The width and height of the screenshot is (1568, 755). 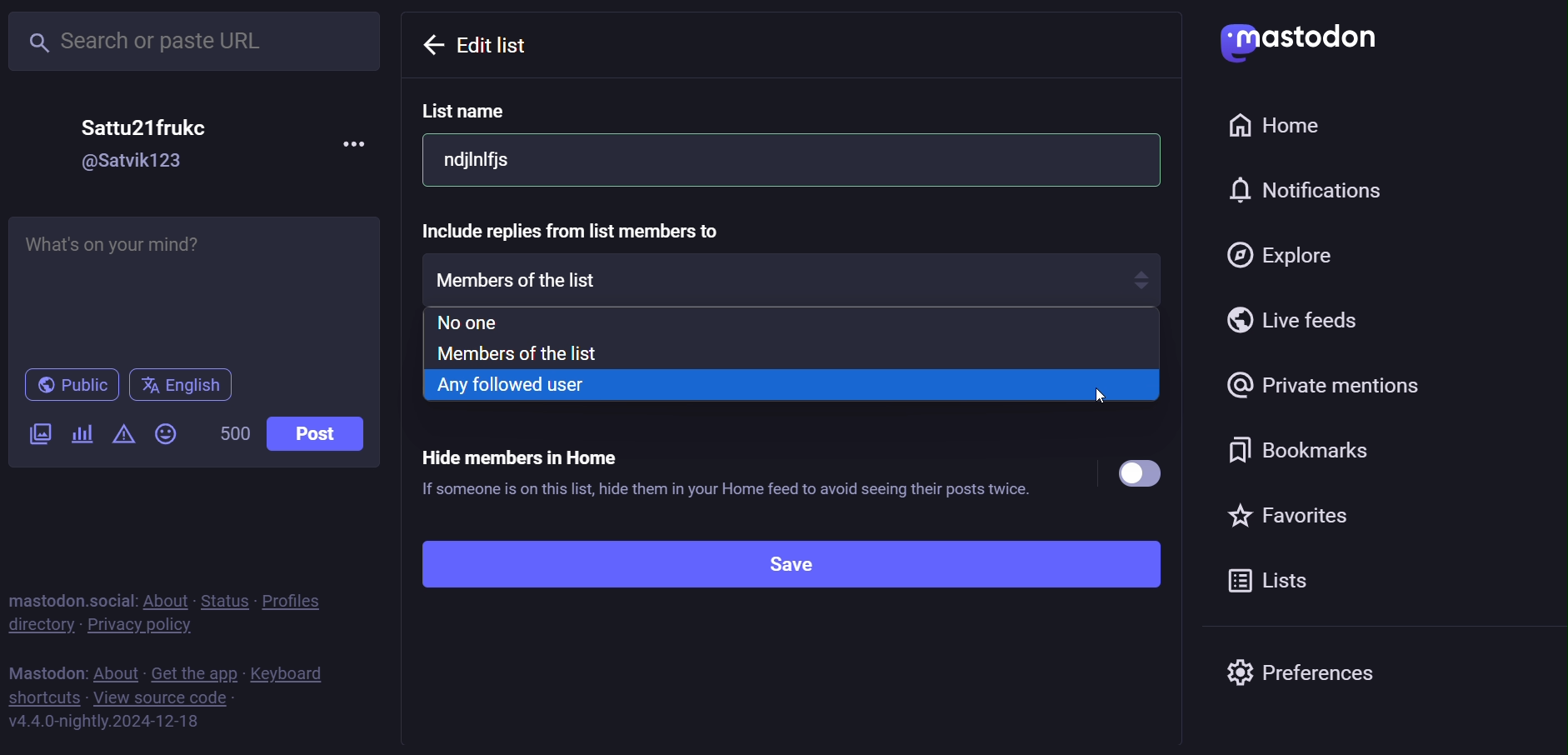 I want to click on private policy, so click(x=144, y=626).